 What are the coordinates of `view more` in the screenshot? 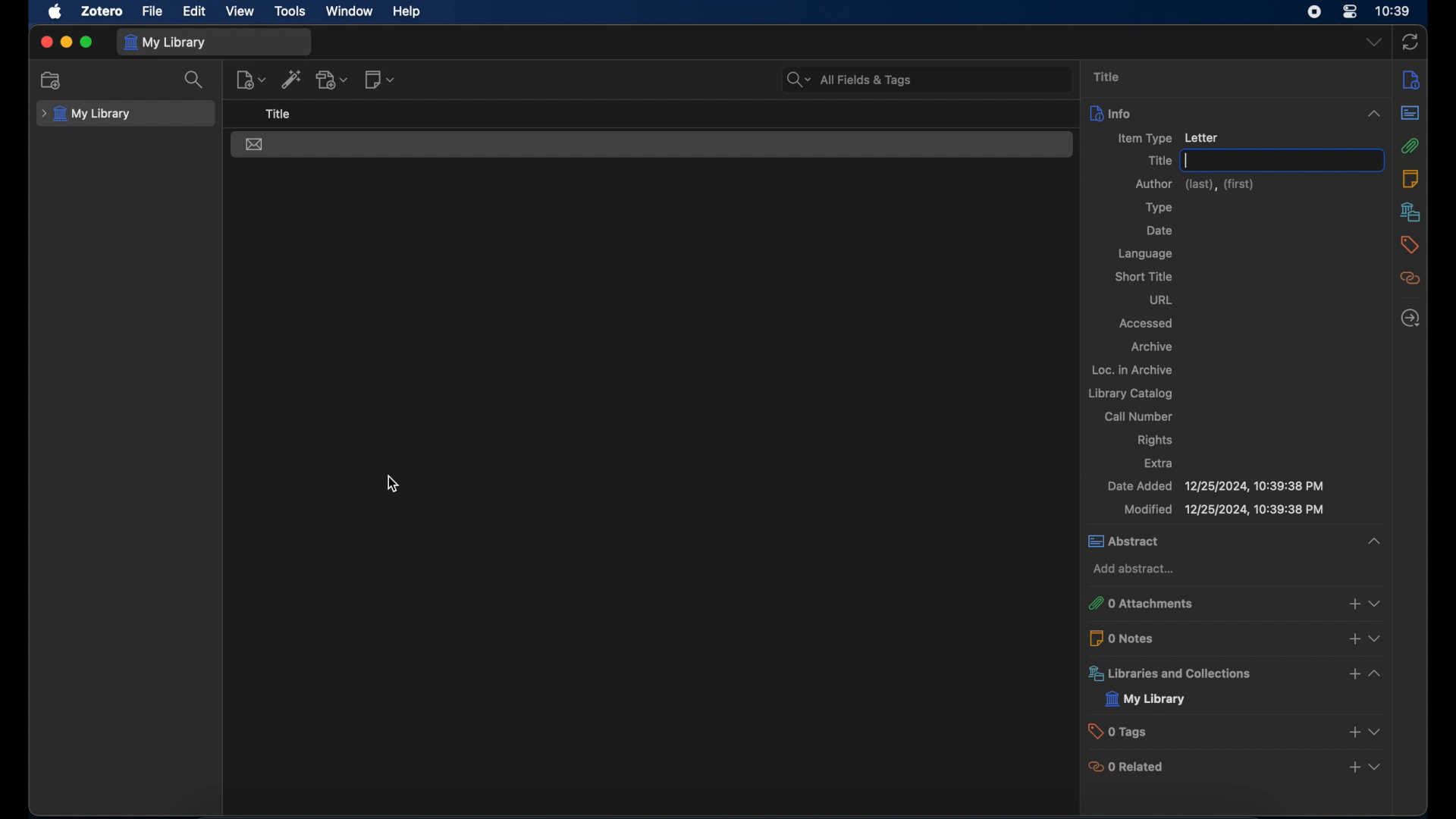 It's located at (1379, 603).